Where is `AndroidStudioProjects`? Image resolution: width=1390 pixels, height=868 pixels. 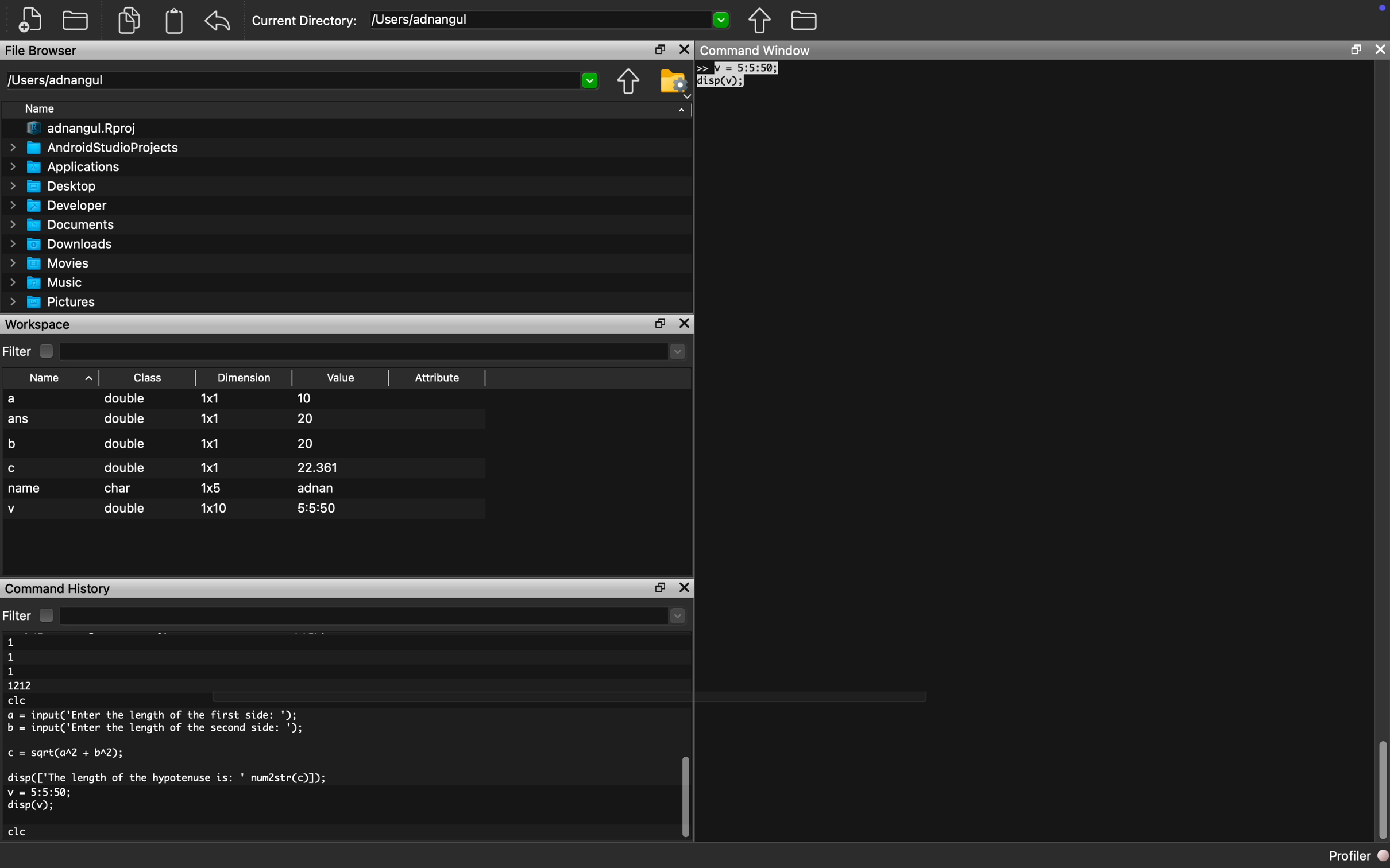
AndroidStudioProjects is located at coordinates (95, 148).